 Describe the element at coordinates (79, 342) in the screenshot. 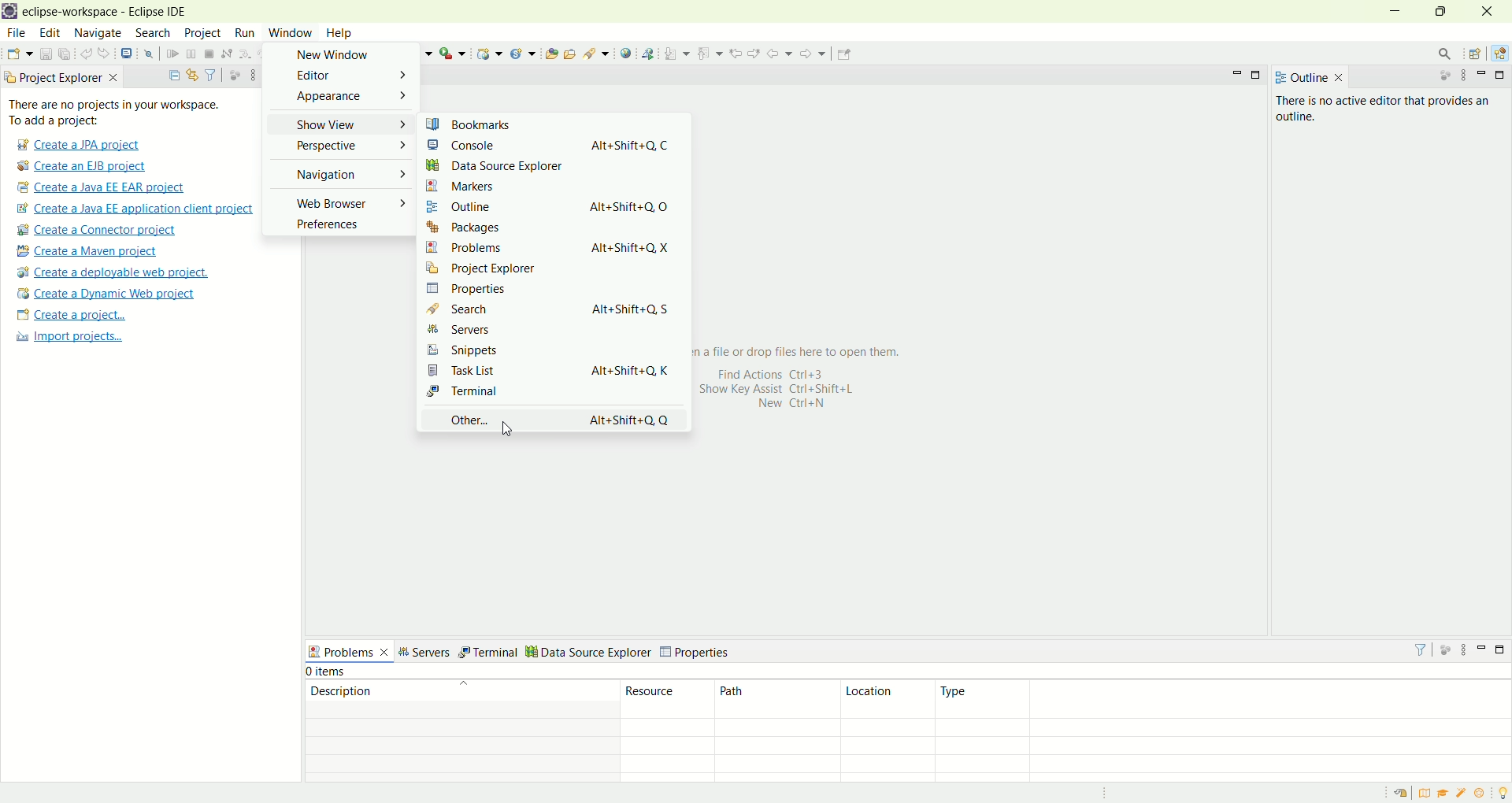

I see `import projects` at that location.